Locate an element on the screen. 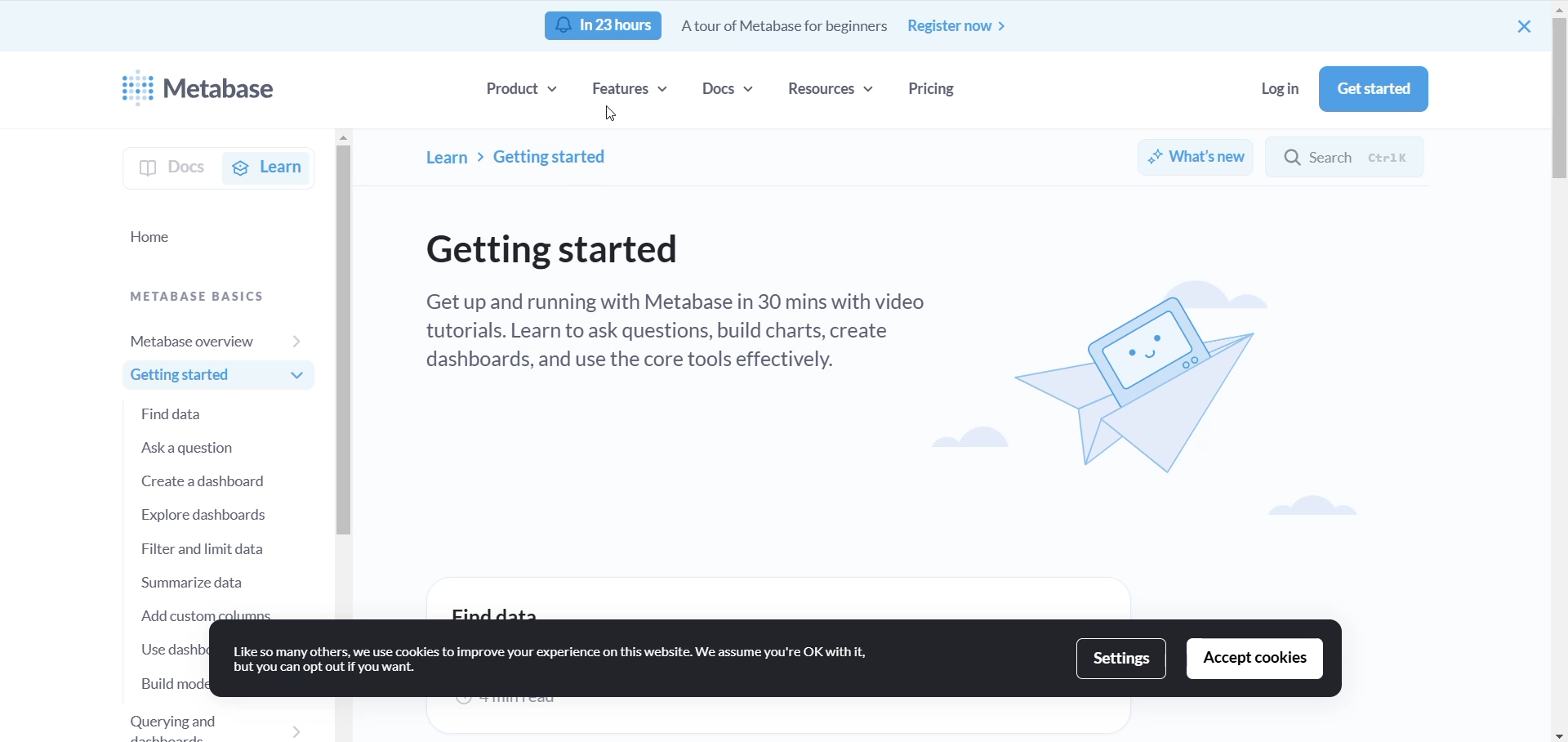 The width and height of the screenshot is (1568, 742). metabase overview is located at coordinates (208, 339).